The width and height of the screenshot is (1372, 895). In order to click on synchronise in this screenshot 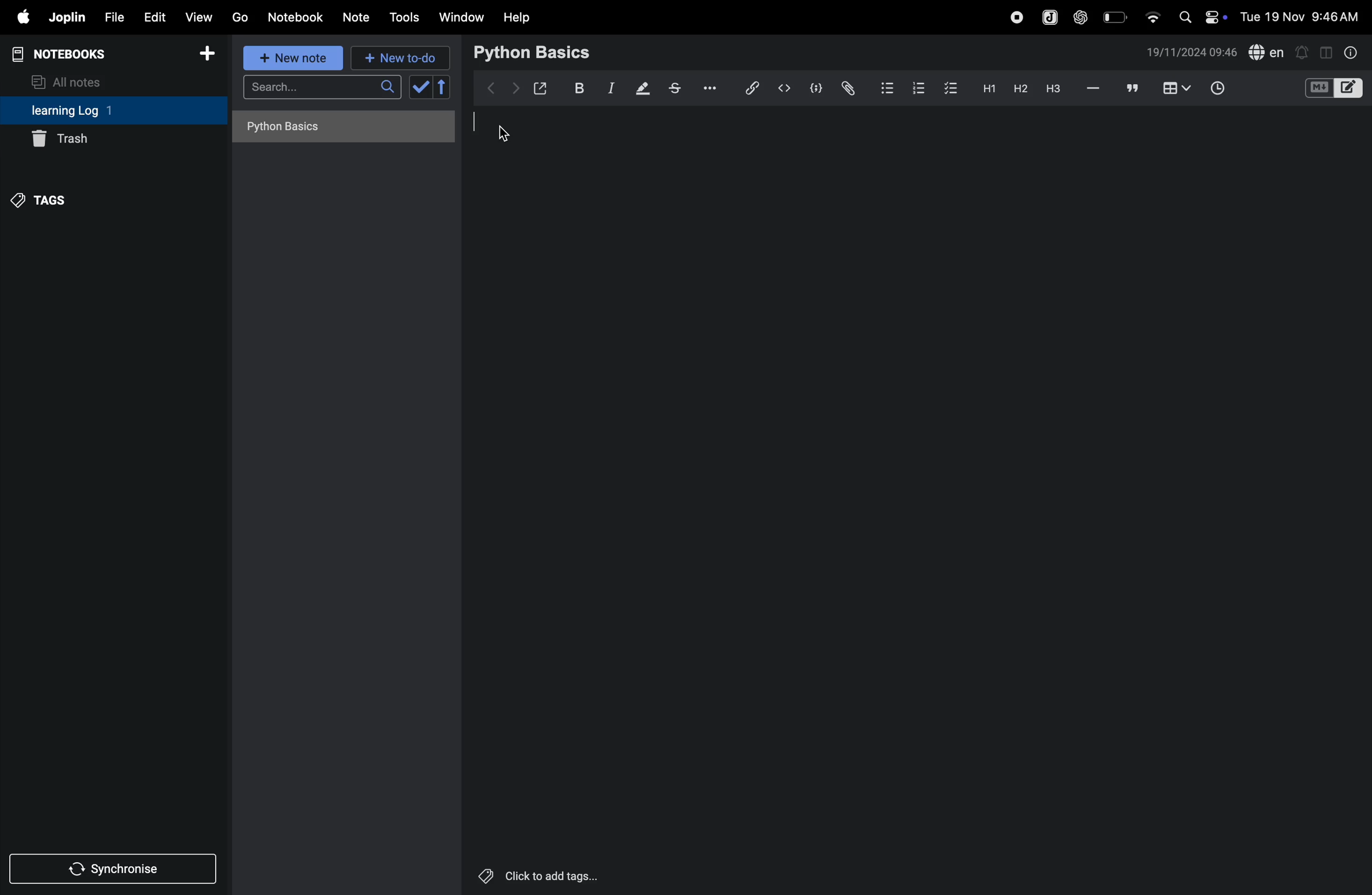, I will do `click(115, 870)`.